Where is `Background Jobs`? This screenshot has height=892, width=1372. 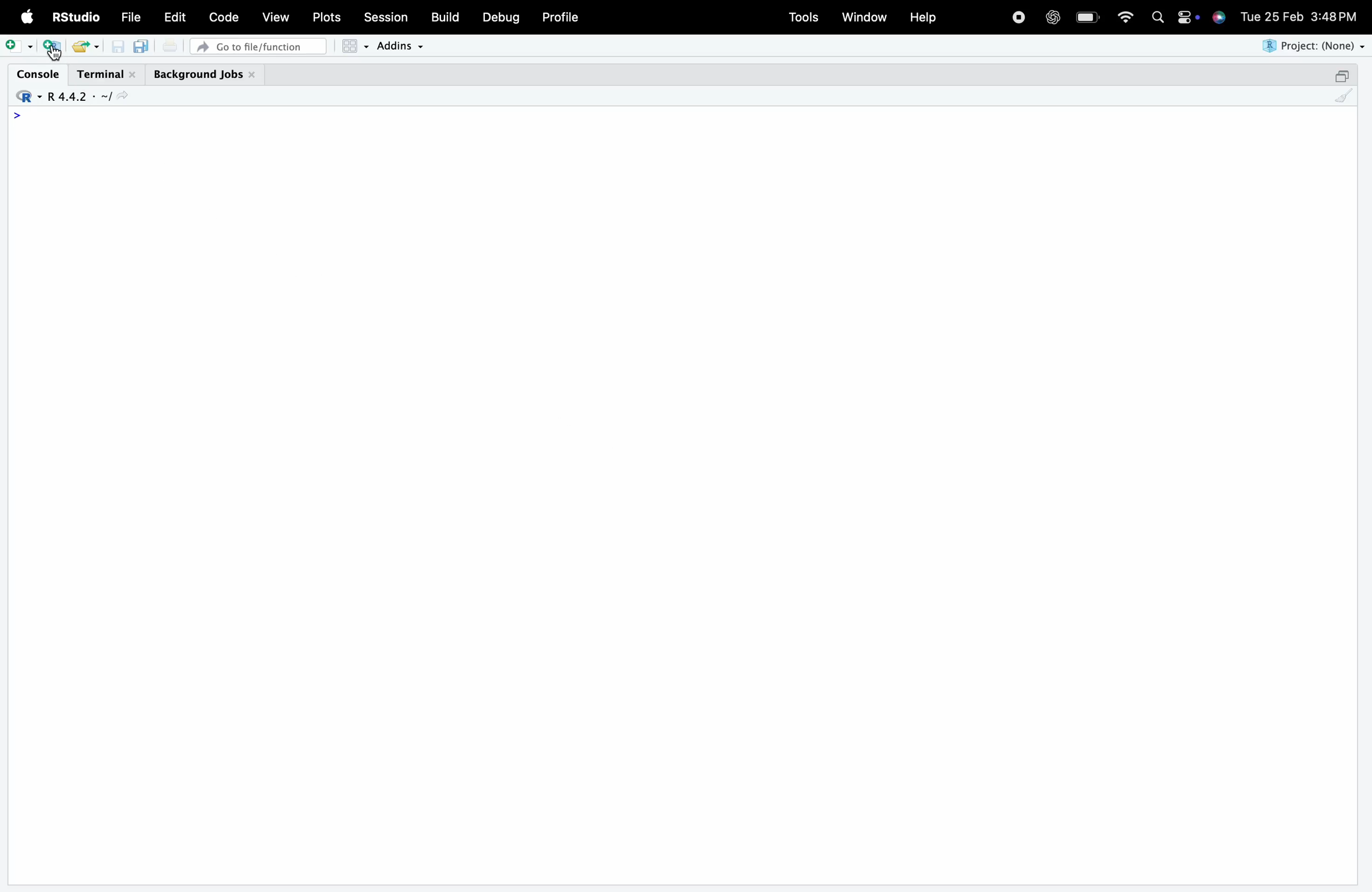
Background Jobs is located at coordinates (205, 75).